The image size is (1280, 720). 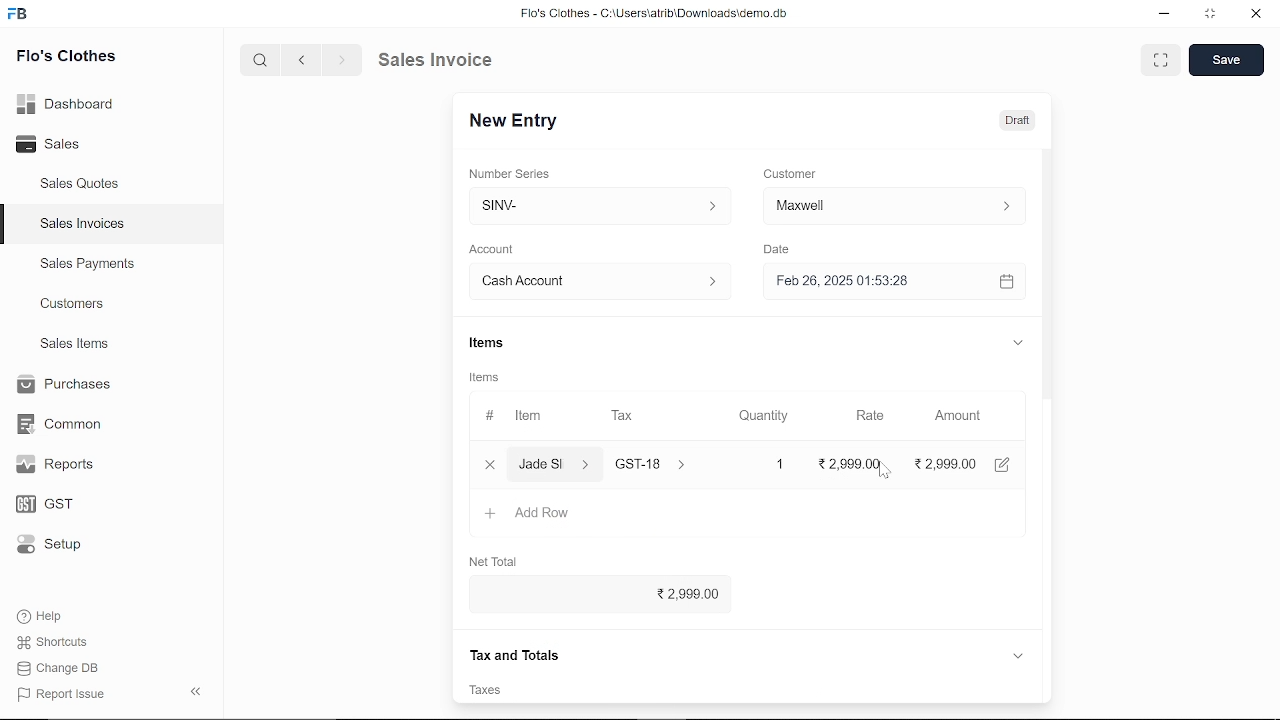 I want to click on ‘Attachment, so click(x=790, y=690).